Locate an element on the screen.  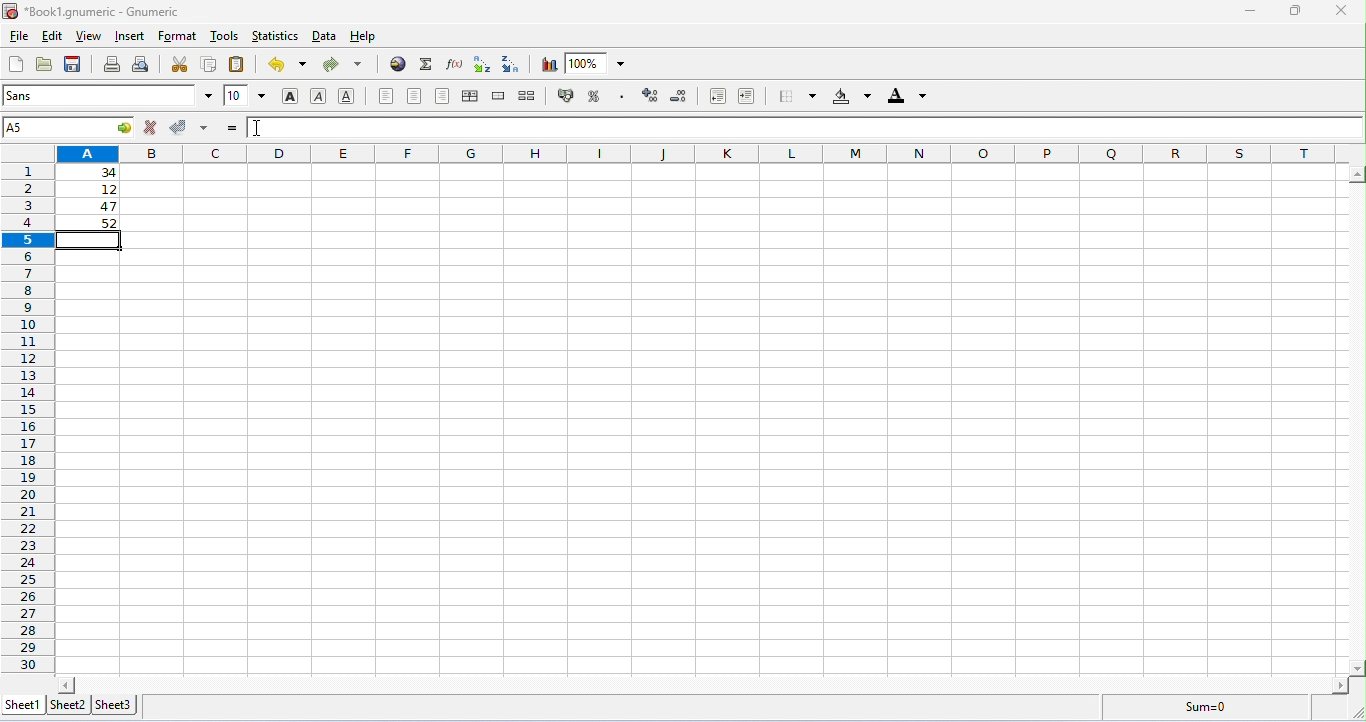
column headings is located at coordinates (703, 153).